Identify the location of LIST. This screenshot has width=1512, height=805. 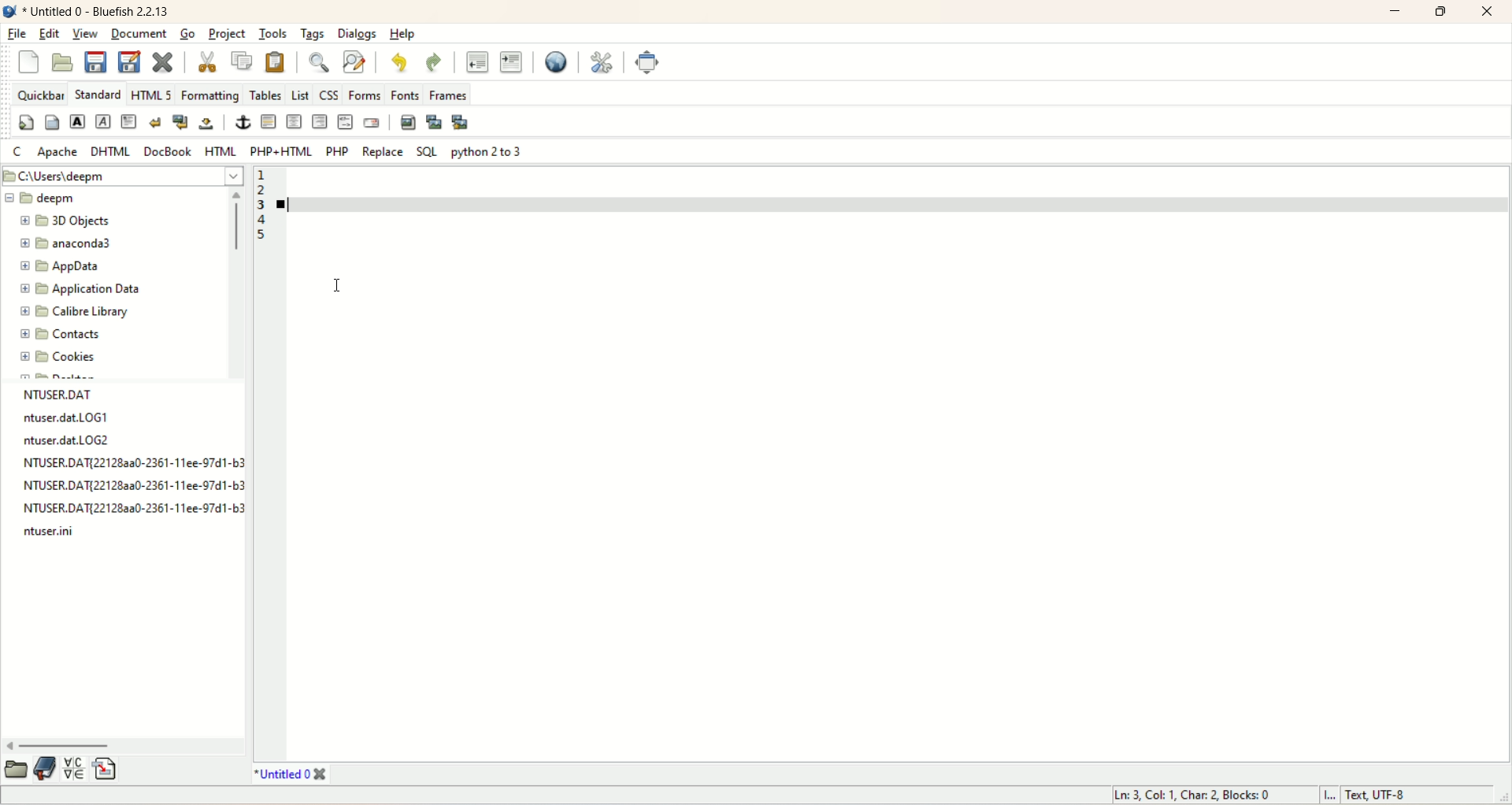
(302, 95).